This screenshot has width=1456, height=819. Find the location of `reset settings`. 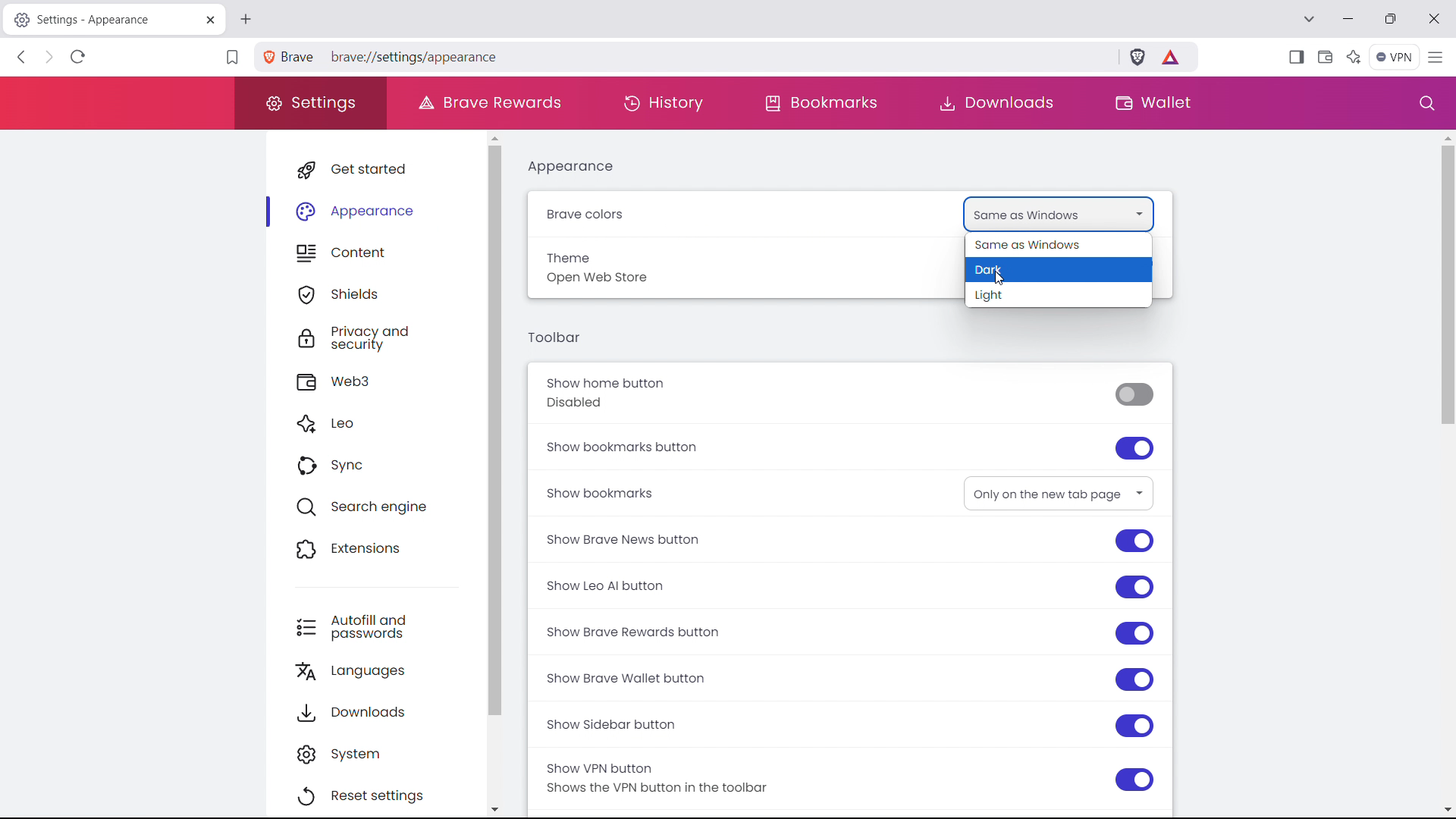

reset settings is located at coordinates (381, 792).